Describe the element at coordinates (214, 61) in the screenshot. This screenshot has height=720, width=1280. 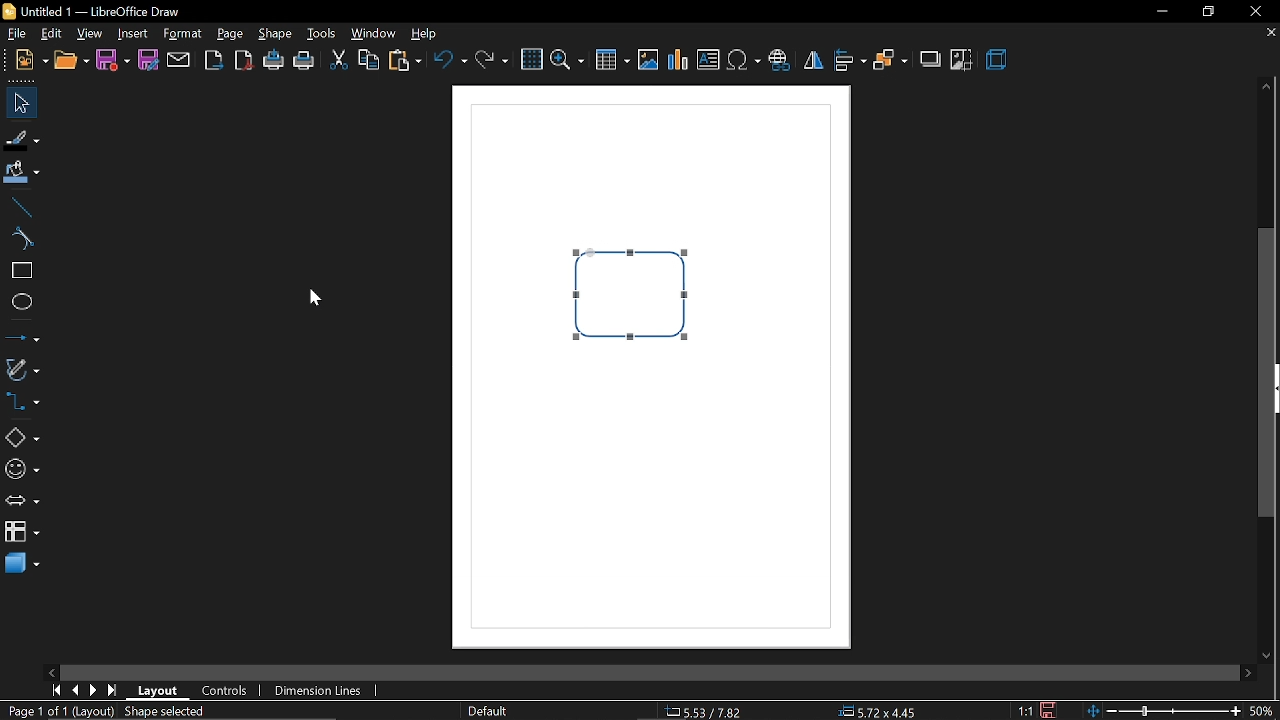
I see `export` at that location.